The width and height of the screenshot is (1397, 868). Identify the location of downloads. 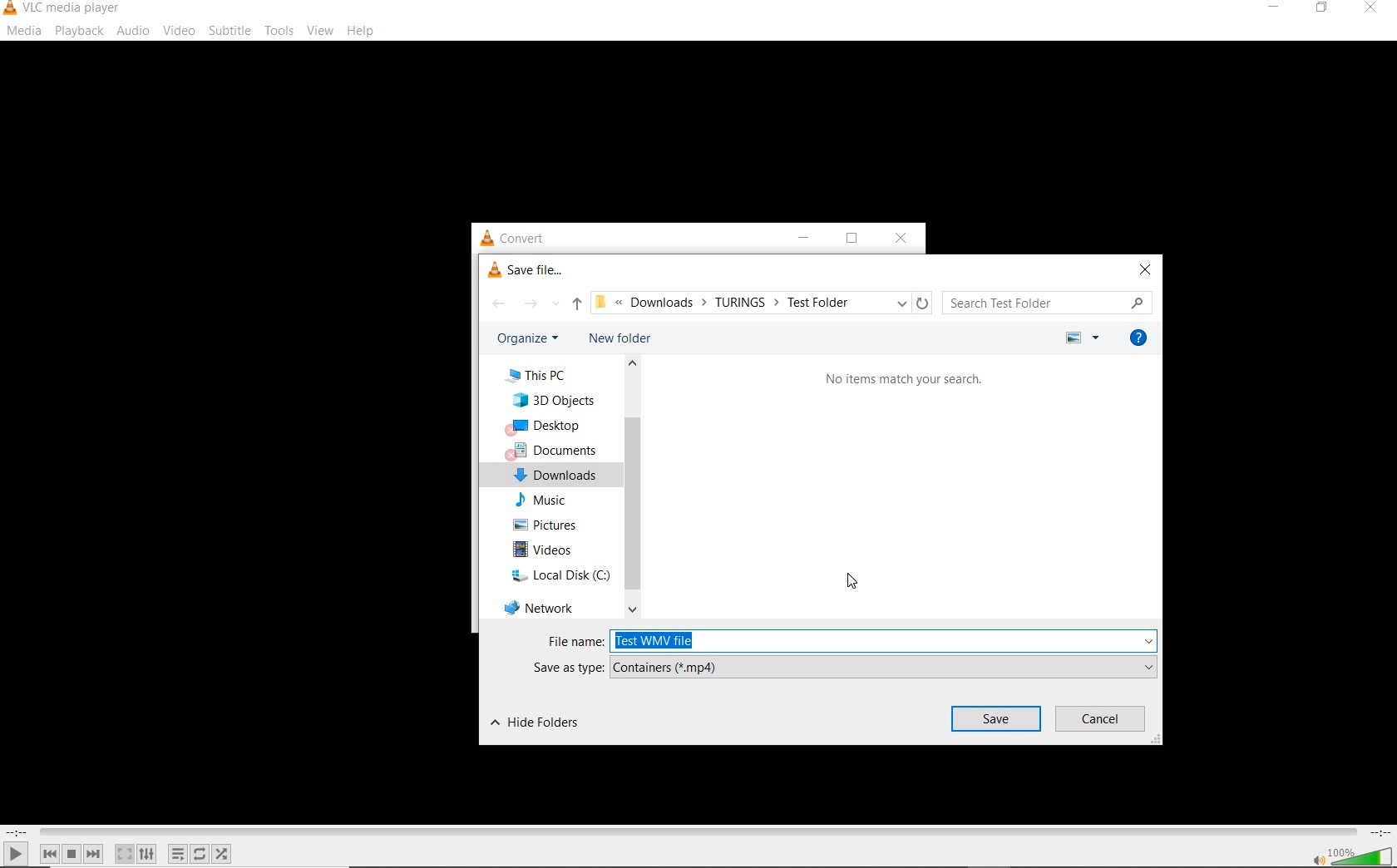
(555, 474).